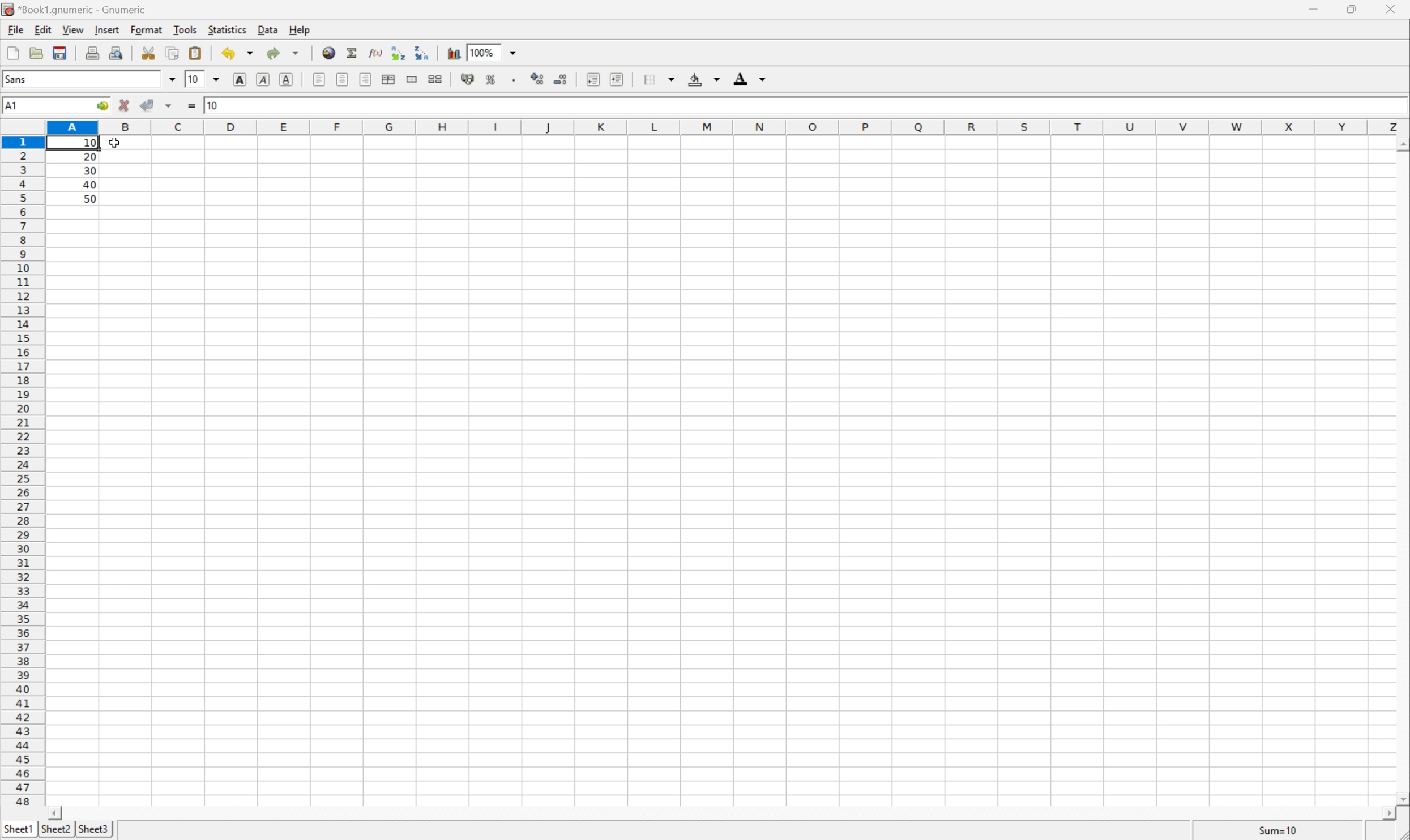 Image resolution: width=1410 pixels, height=840 pixels. I want to click on Accept changes, so click(148, 105).